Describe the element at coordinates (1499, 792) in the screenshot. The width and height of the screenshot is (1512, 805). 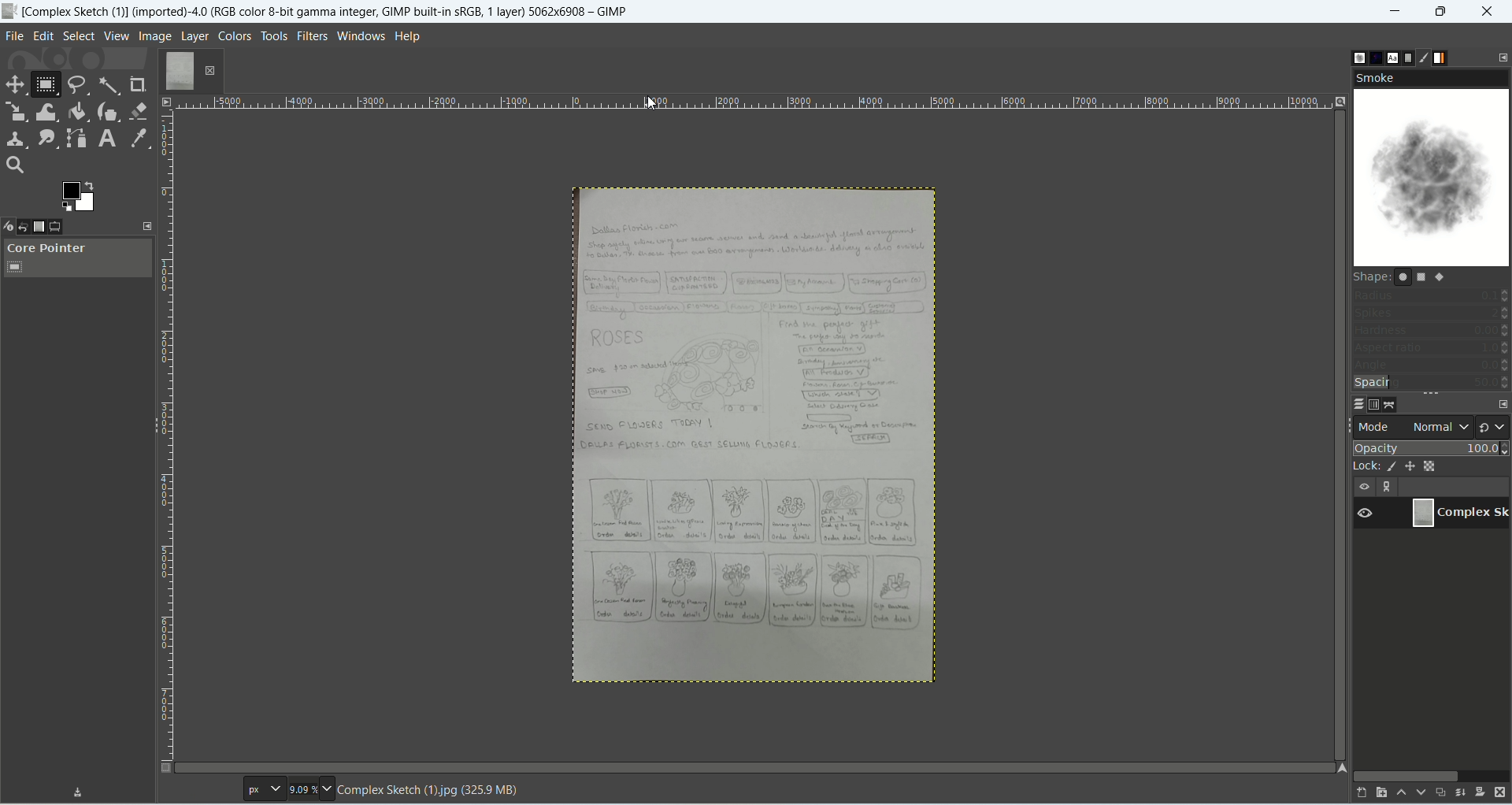
I see `delete` at that location.